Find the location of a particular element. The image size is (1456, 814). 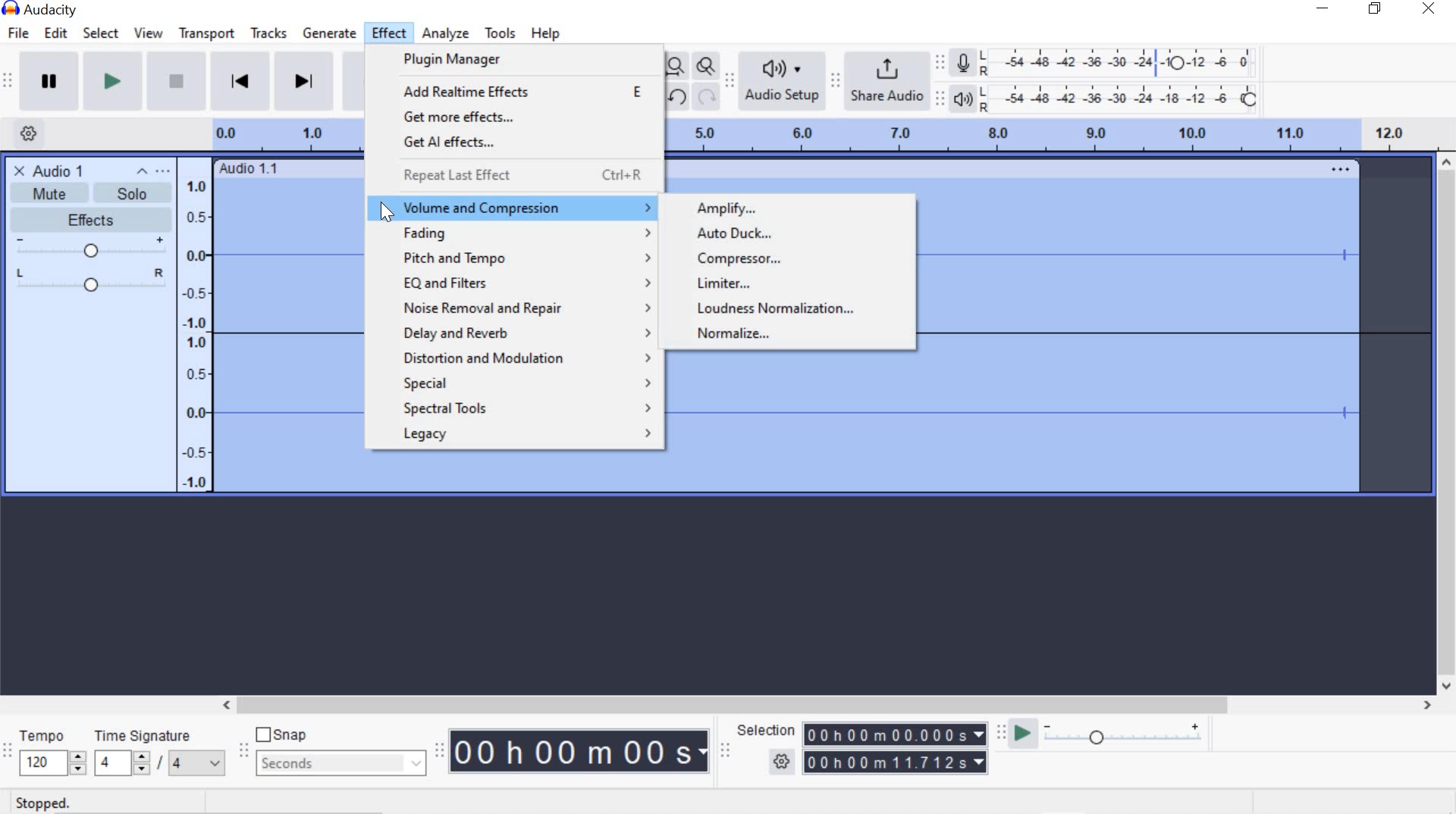

Time is located at coordinates (581, 753).